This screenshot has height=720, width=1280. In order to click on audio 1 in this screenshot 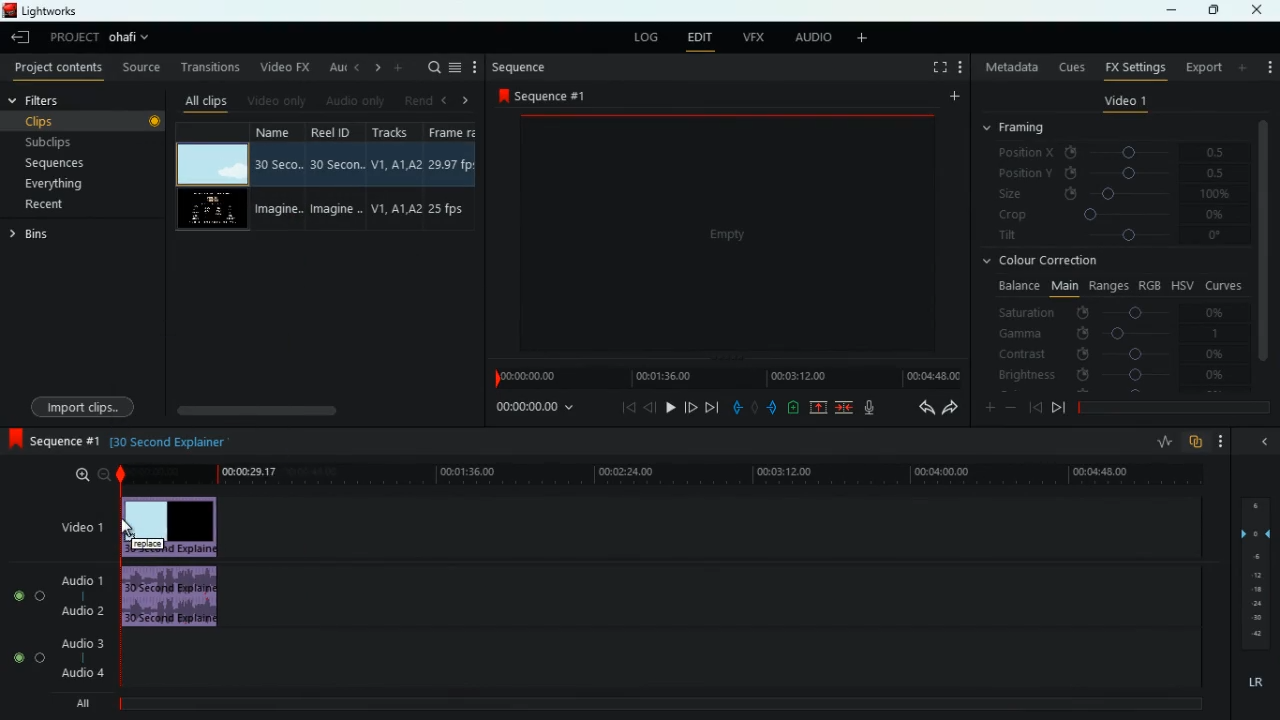, I will do `click(78, 578)`.